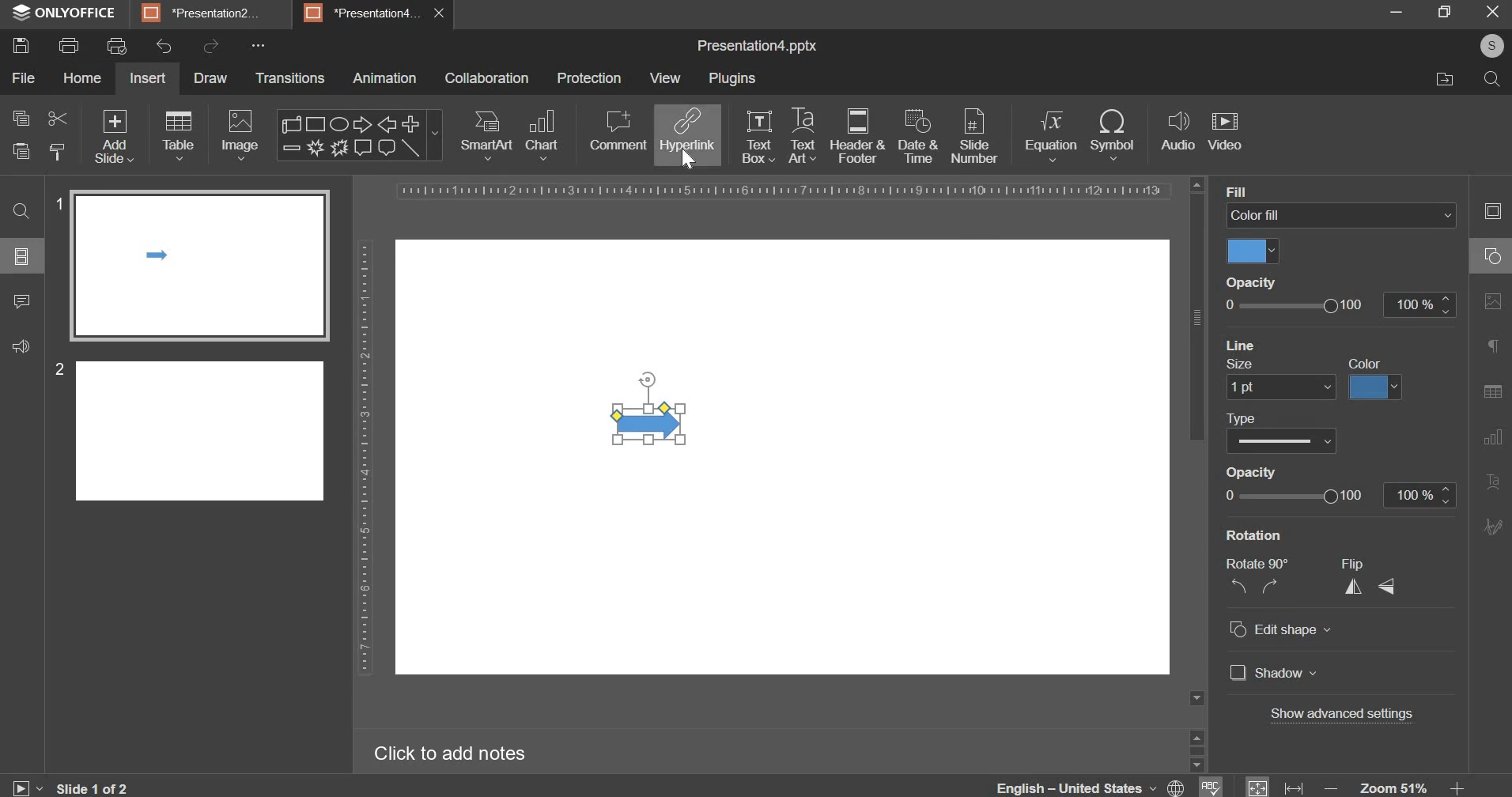 This screenshot has height=797, width=1512. Describe the element at coordinates (359, 134) in the screenshot. I see `shapes` at that location.